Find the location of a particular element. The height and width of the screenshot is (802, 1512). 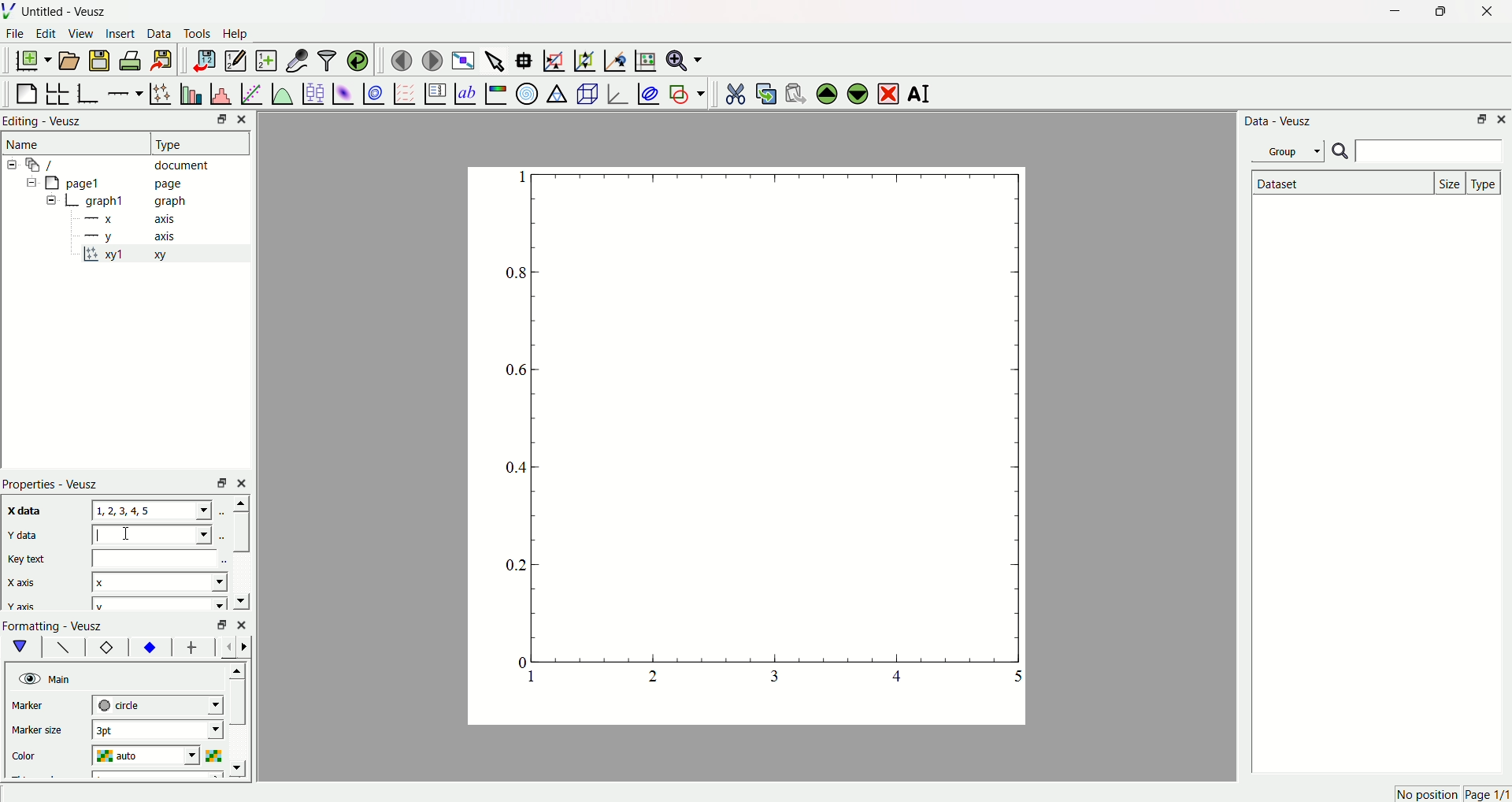

zoom functions is located at coordinates (684, 60).